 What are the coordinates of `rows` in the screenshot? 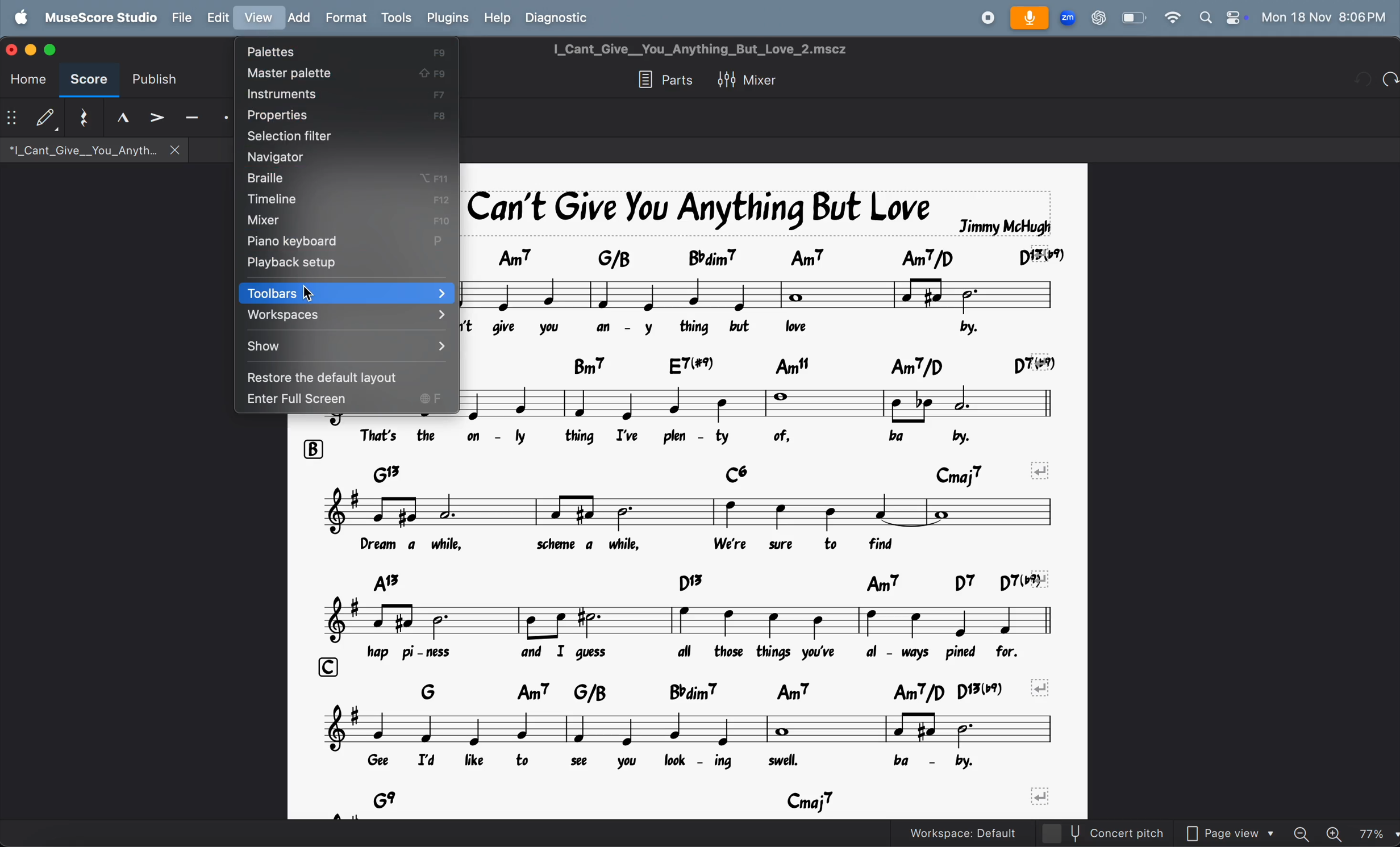 It's located at (312, 449).